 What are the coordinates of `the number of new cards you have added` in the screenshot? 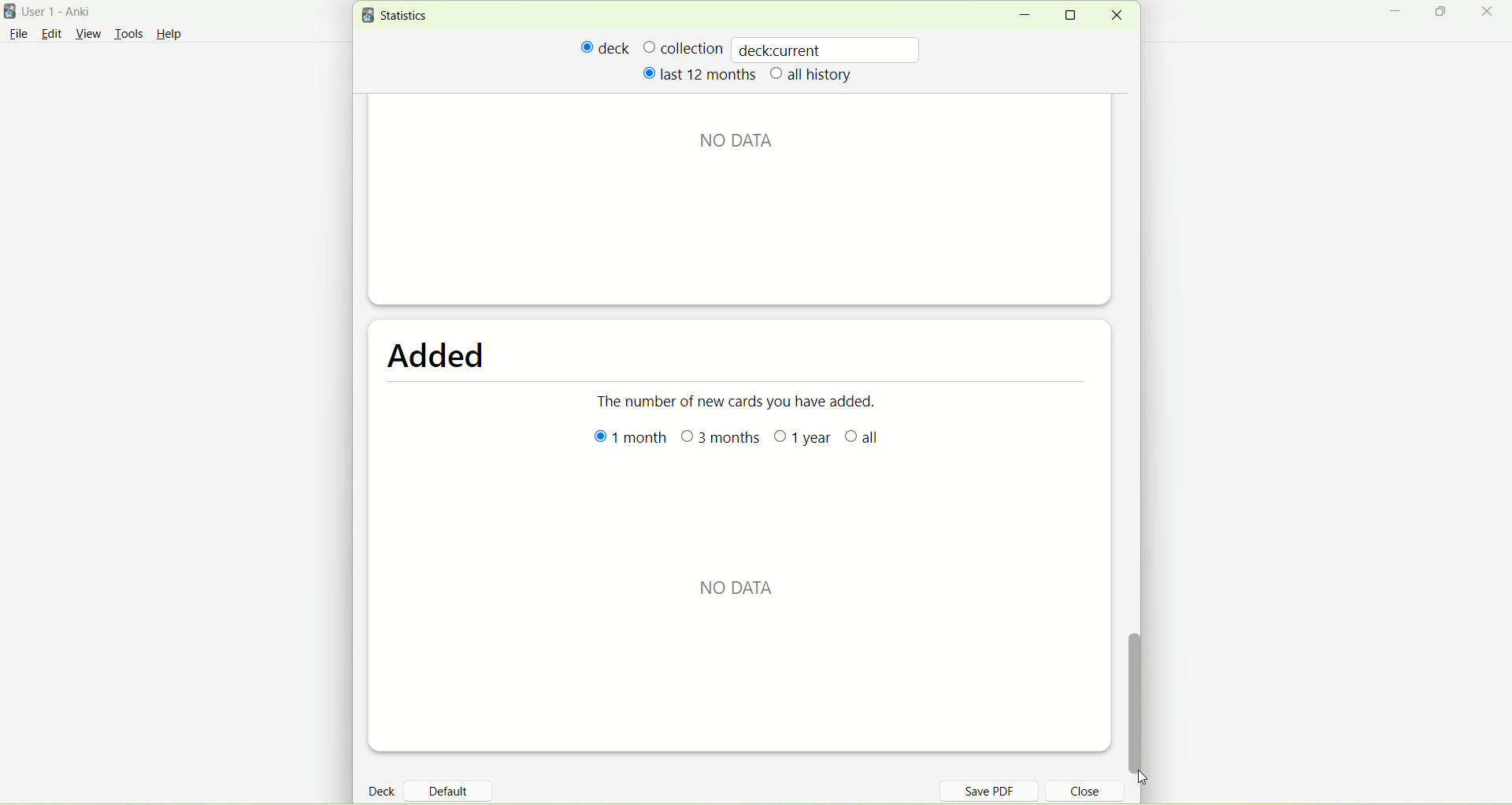 It's located at (741, 408).